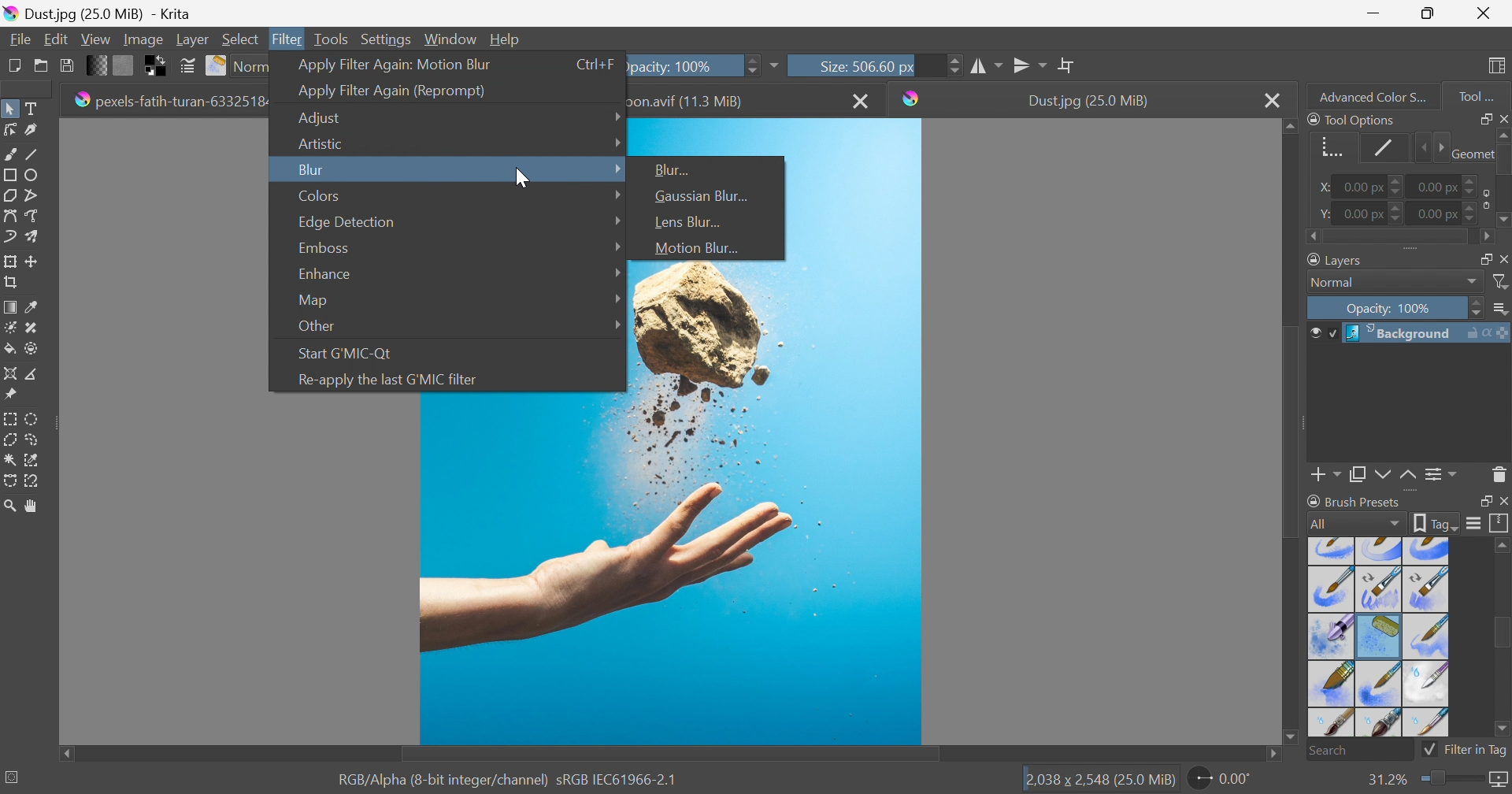  I want to click on Apply filter again: Motion blur, so click(395, 63).